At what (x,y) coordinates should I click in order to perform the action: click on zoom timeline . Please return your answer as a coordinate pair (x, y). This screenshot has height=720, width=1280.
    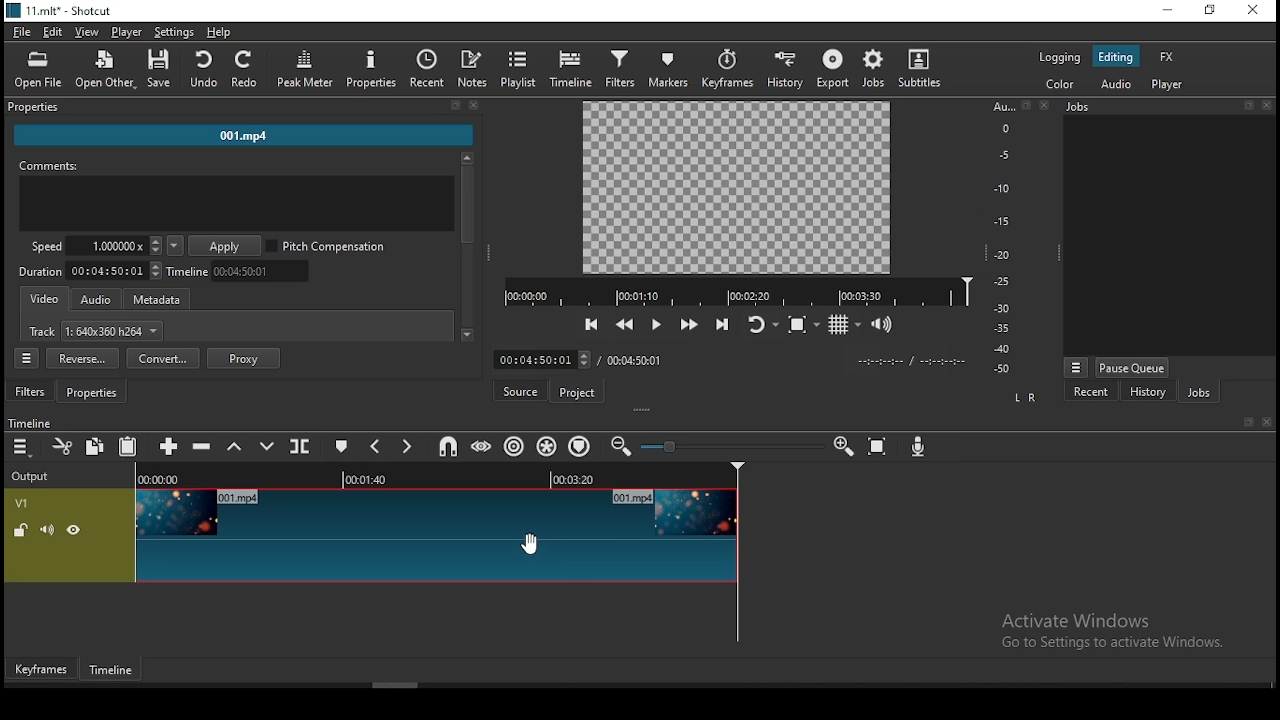
    Looking at the image, I should click on (840, 445).